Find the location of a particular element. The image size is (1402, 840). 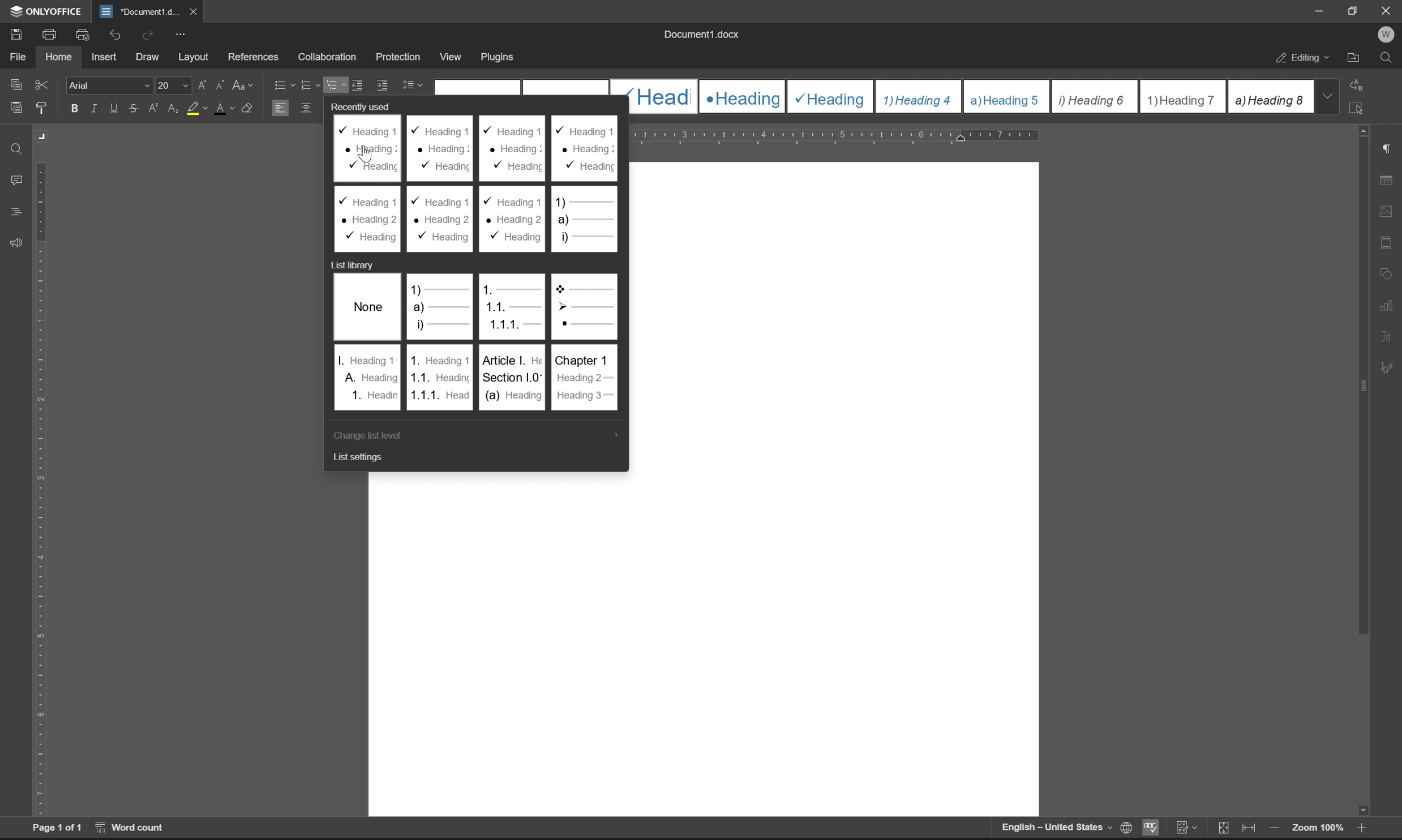

scroll bar is located at coordinates (1361, 471).